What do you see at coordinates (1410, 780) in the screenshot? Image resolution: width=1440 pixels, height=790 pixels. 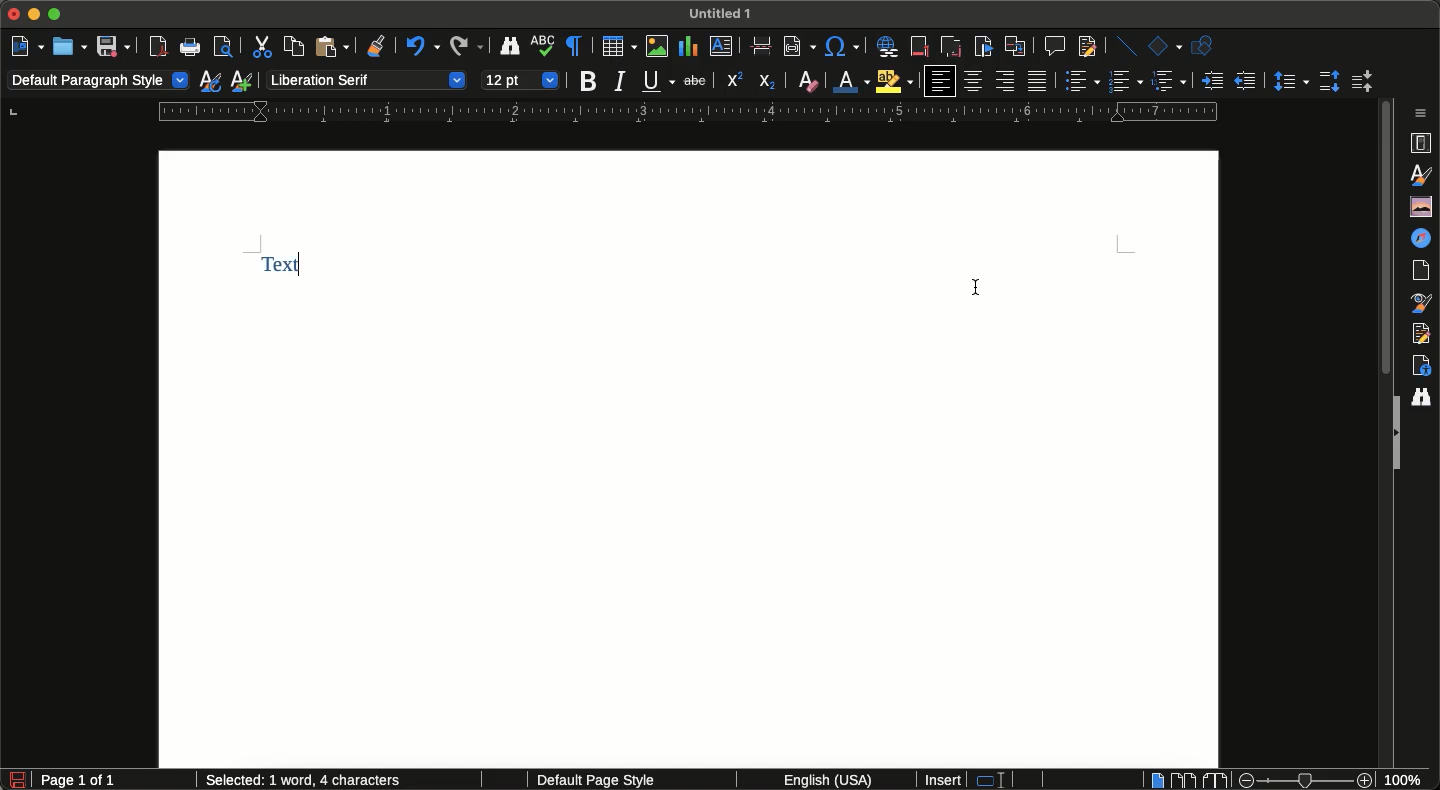 I see `Zoom percent` at bounding box center [1410, 780].